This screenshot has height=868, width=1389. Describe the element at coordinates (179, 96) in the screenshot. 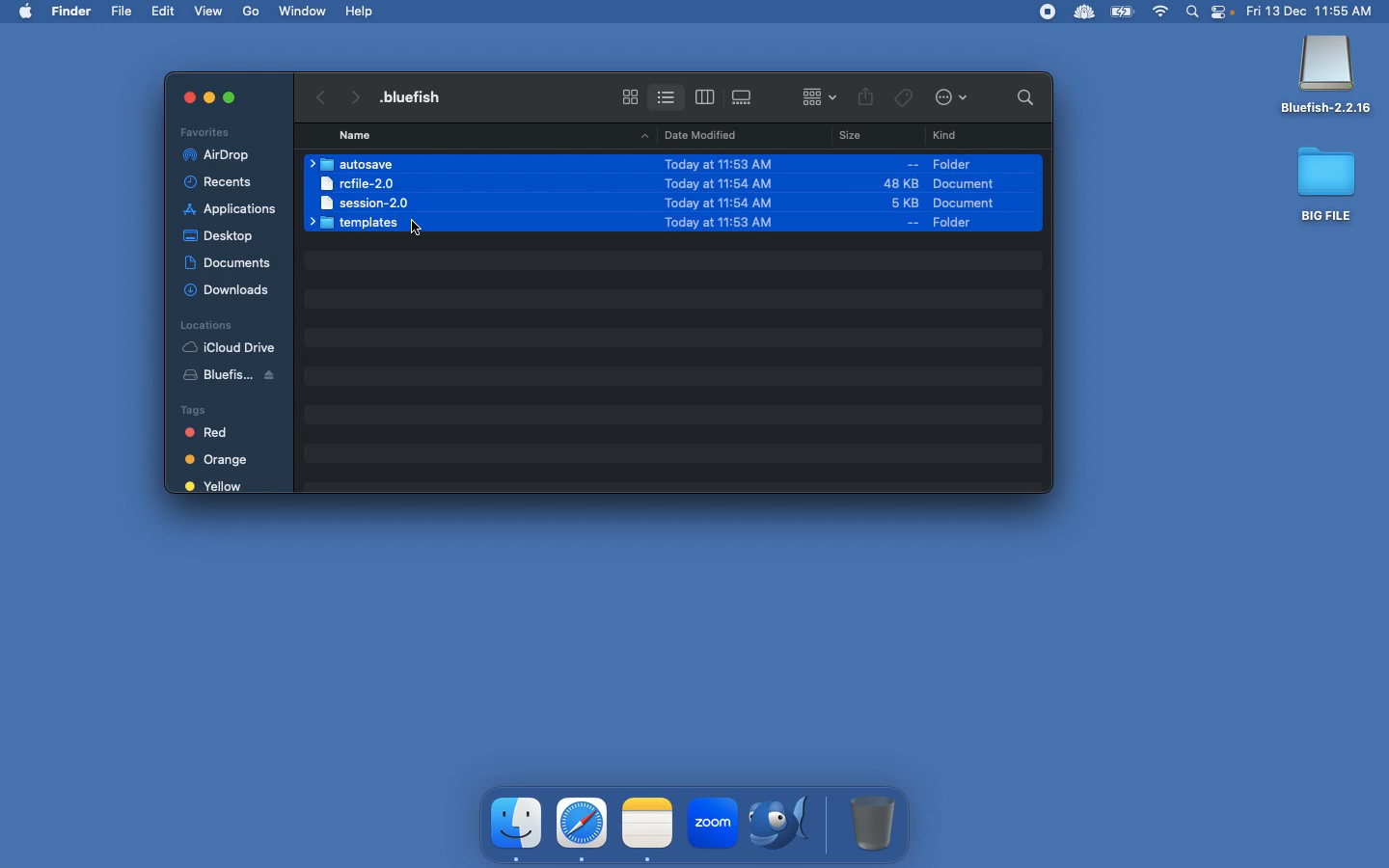

I see `close` at that location.